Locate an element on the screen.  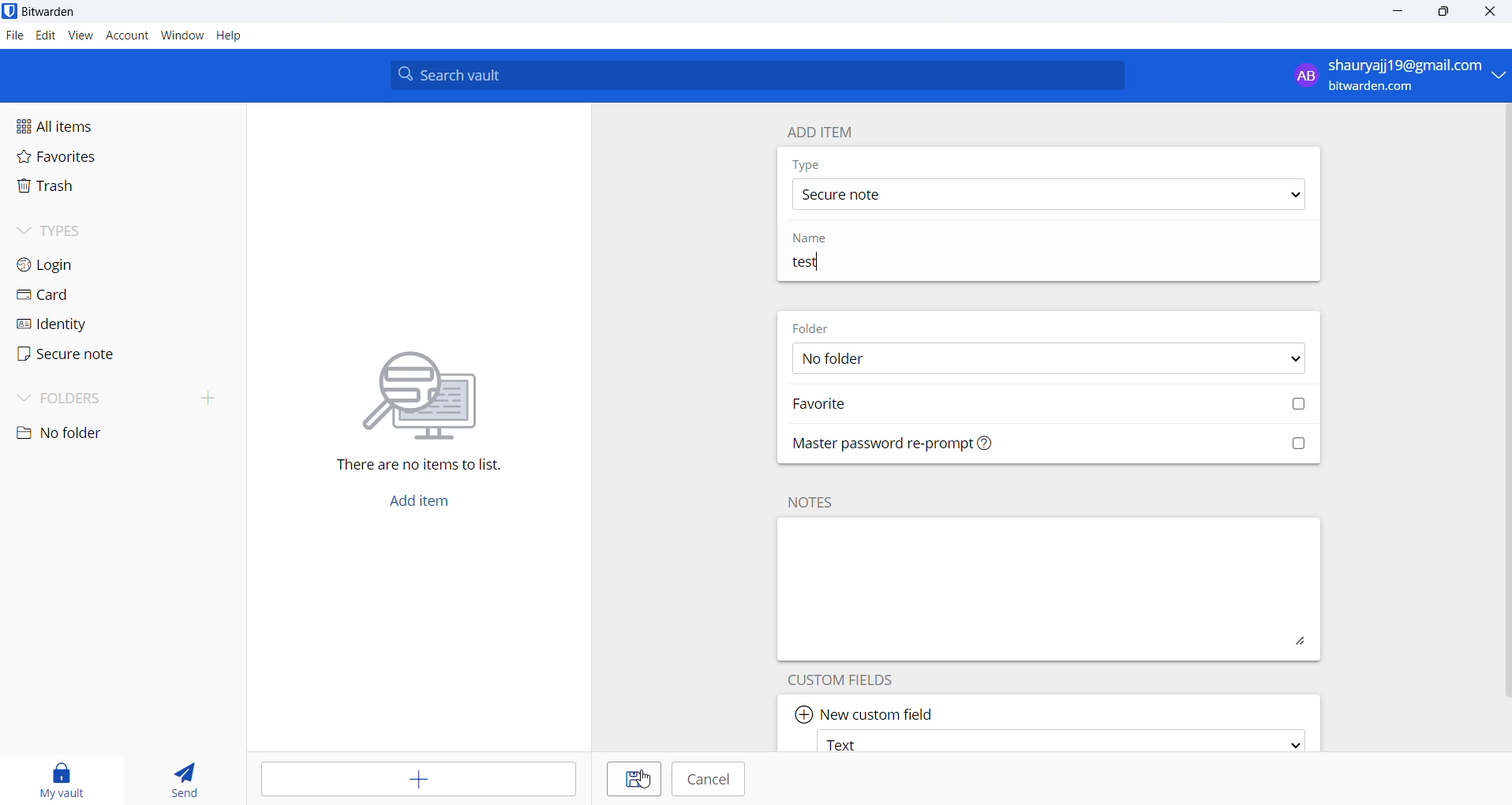
notes heading is located at coordinates (814, 502).